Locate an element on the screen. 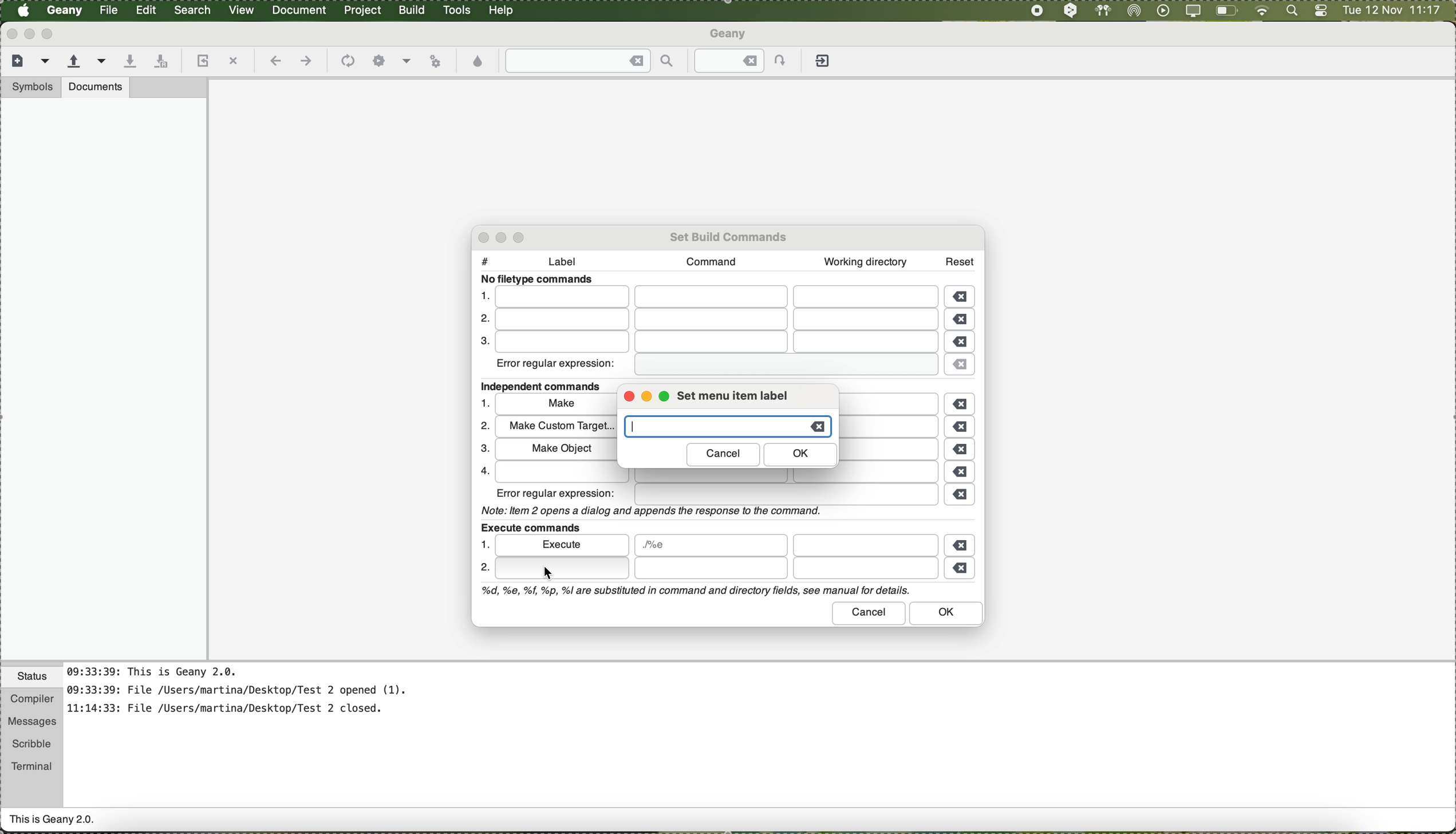 This screenshot has height=834, width=1456. close the current file is located at coordinates (233, 62).